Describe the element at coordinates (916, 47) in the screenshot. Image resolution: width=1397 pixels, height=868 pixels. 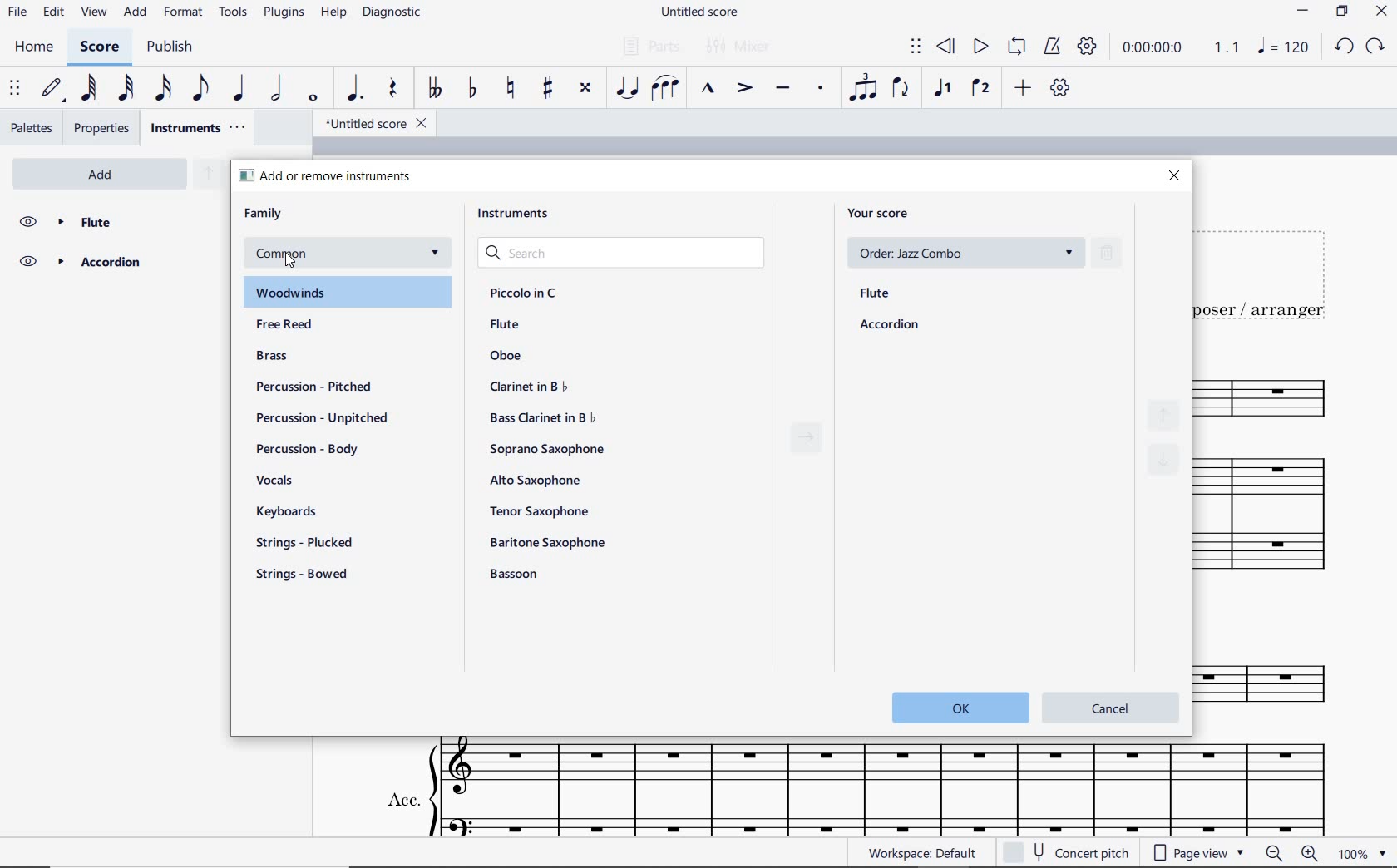
I see `select to move` at that location.